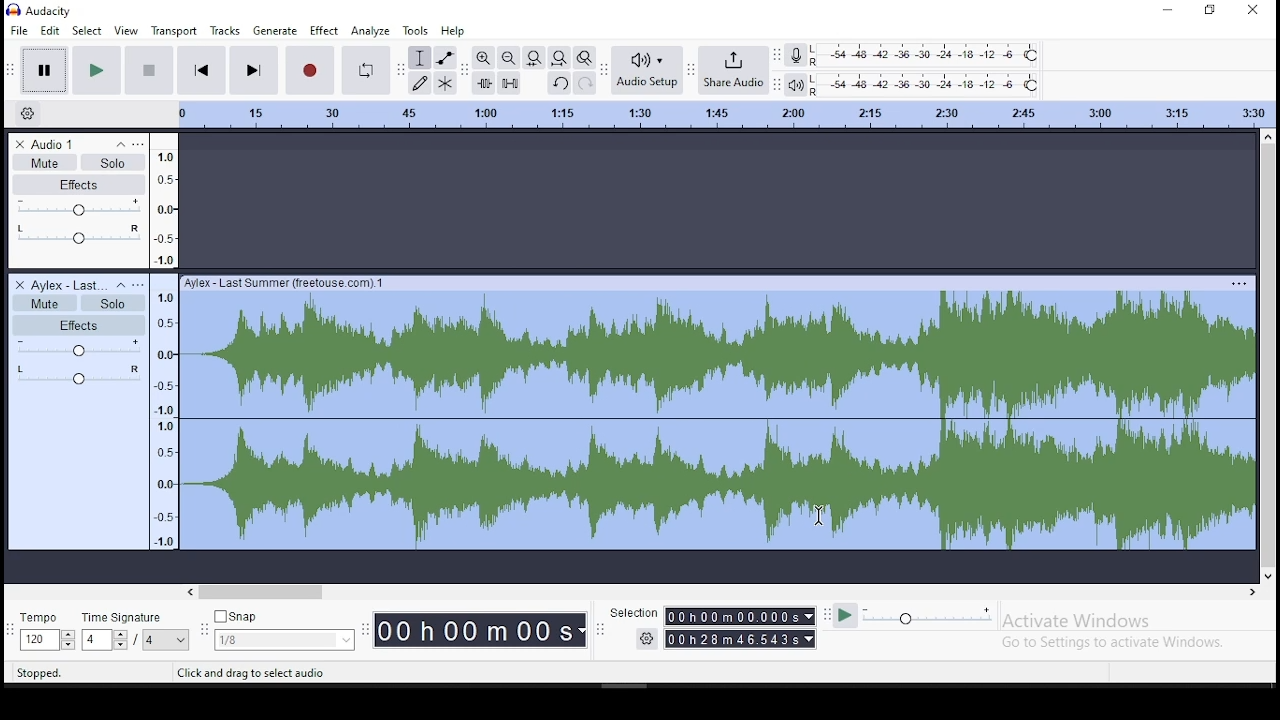 This screenshot has width=1280, height=720. I want to click on timeline, so click(726, 113).